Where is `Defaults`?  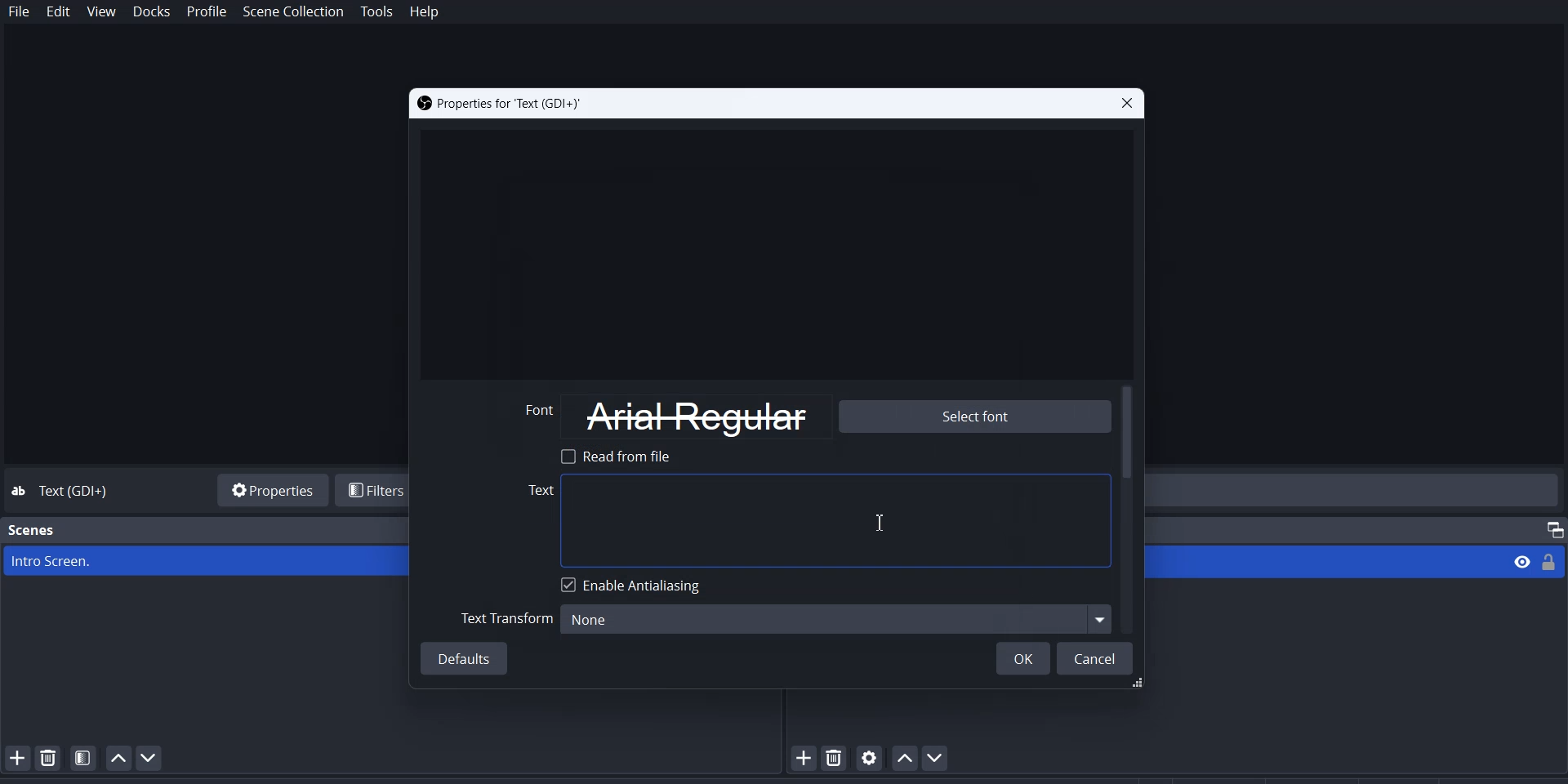
Defaults is located at coordinates (466, 660).